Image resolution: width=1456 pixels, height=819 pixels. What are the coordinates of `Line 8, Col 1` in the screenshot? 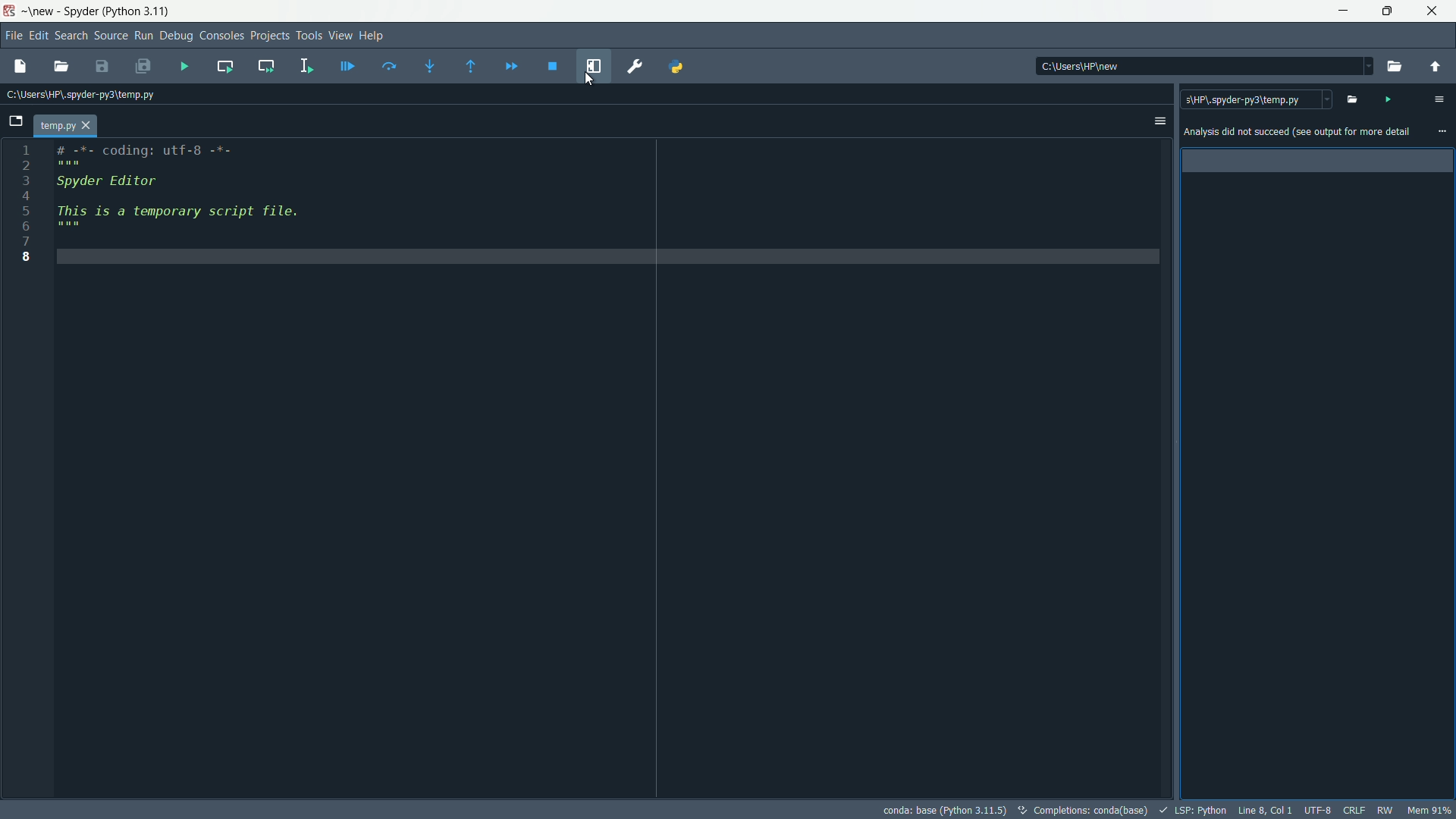 It's located at (1266, 810).